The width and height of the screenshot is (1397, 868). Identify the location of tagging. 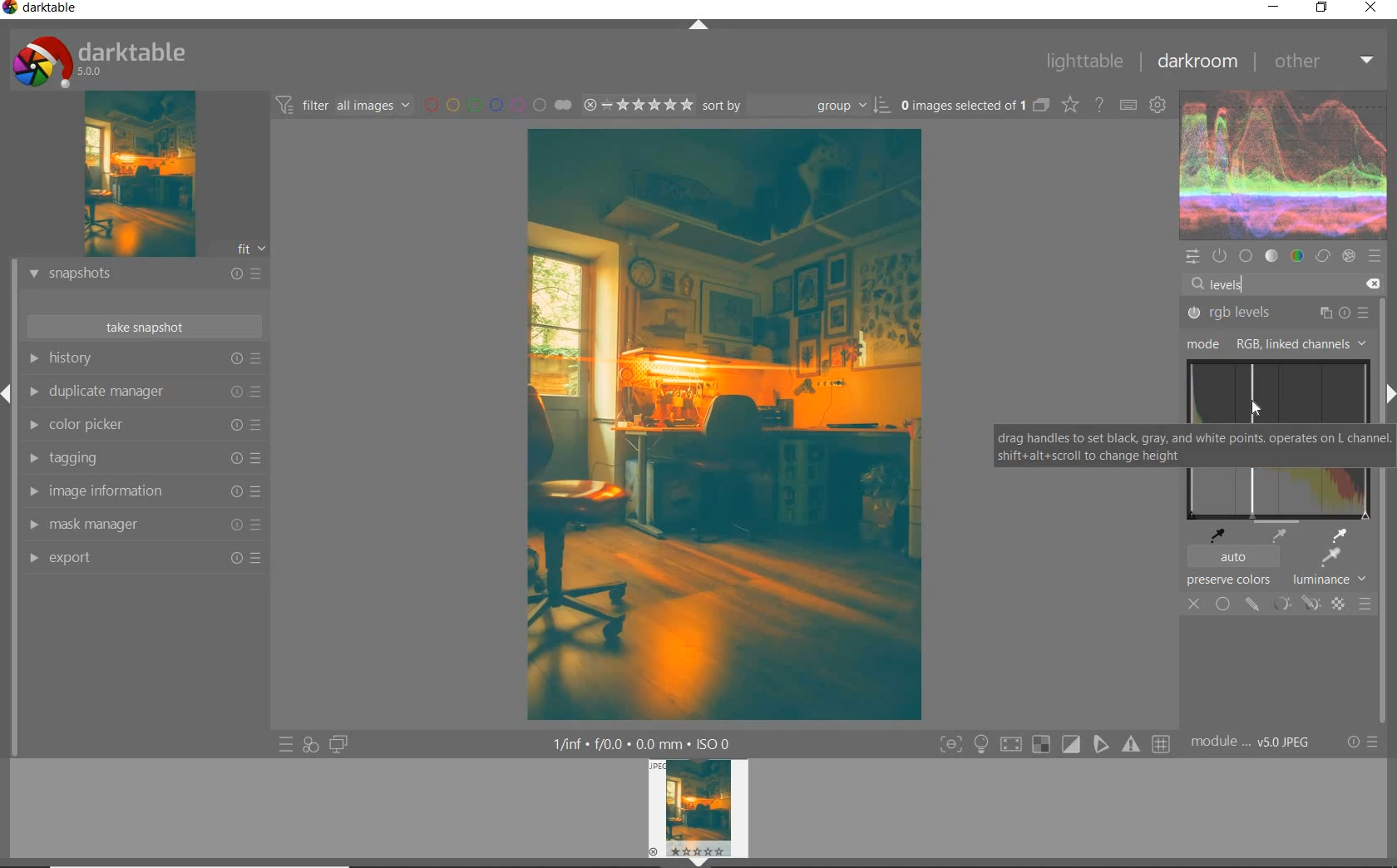
(140, 456).